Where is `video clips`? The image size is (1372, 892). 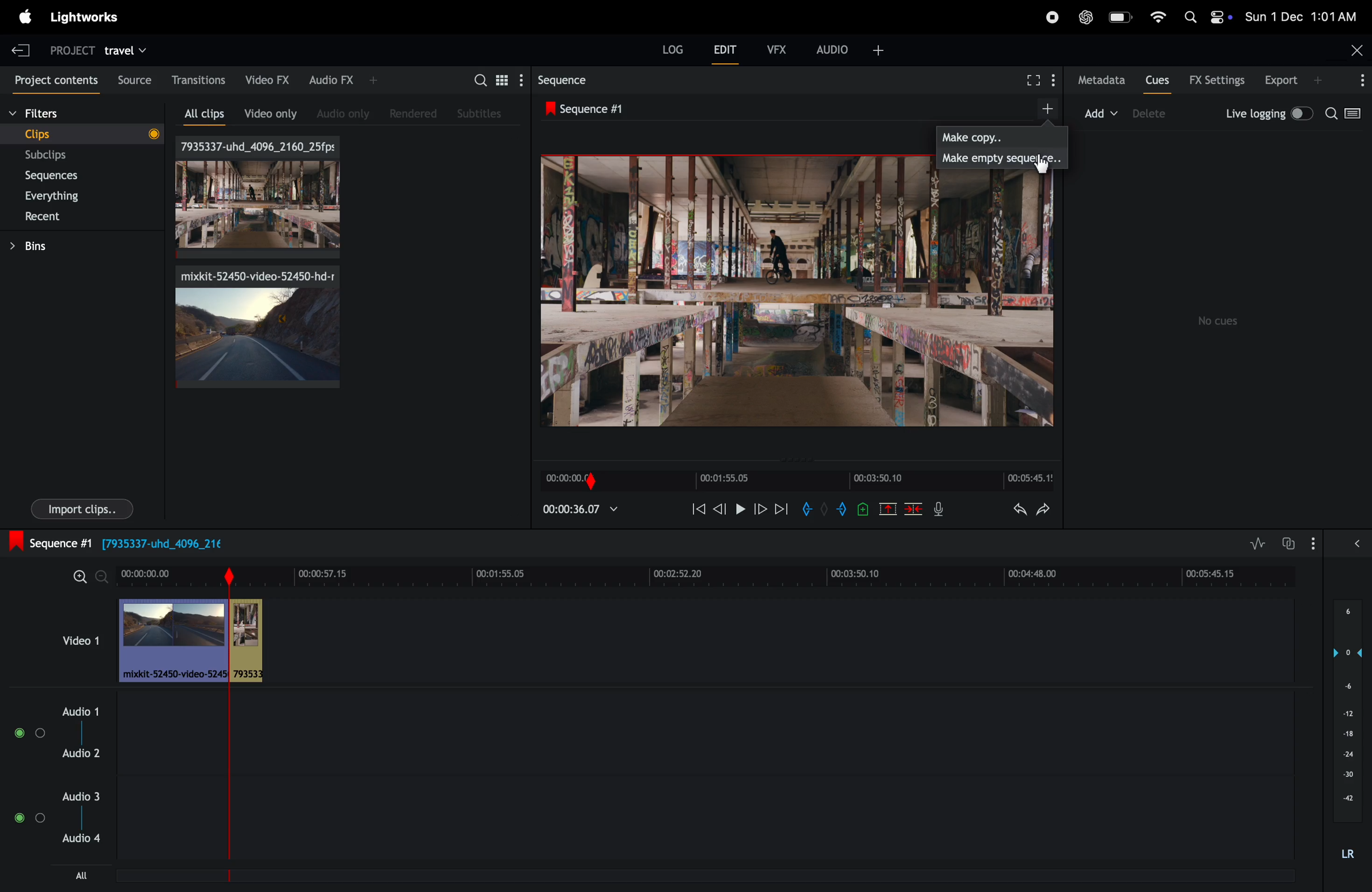 video clips is located at coordinates (191, 641).